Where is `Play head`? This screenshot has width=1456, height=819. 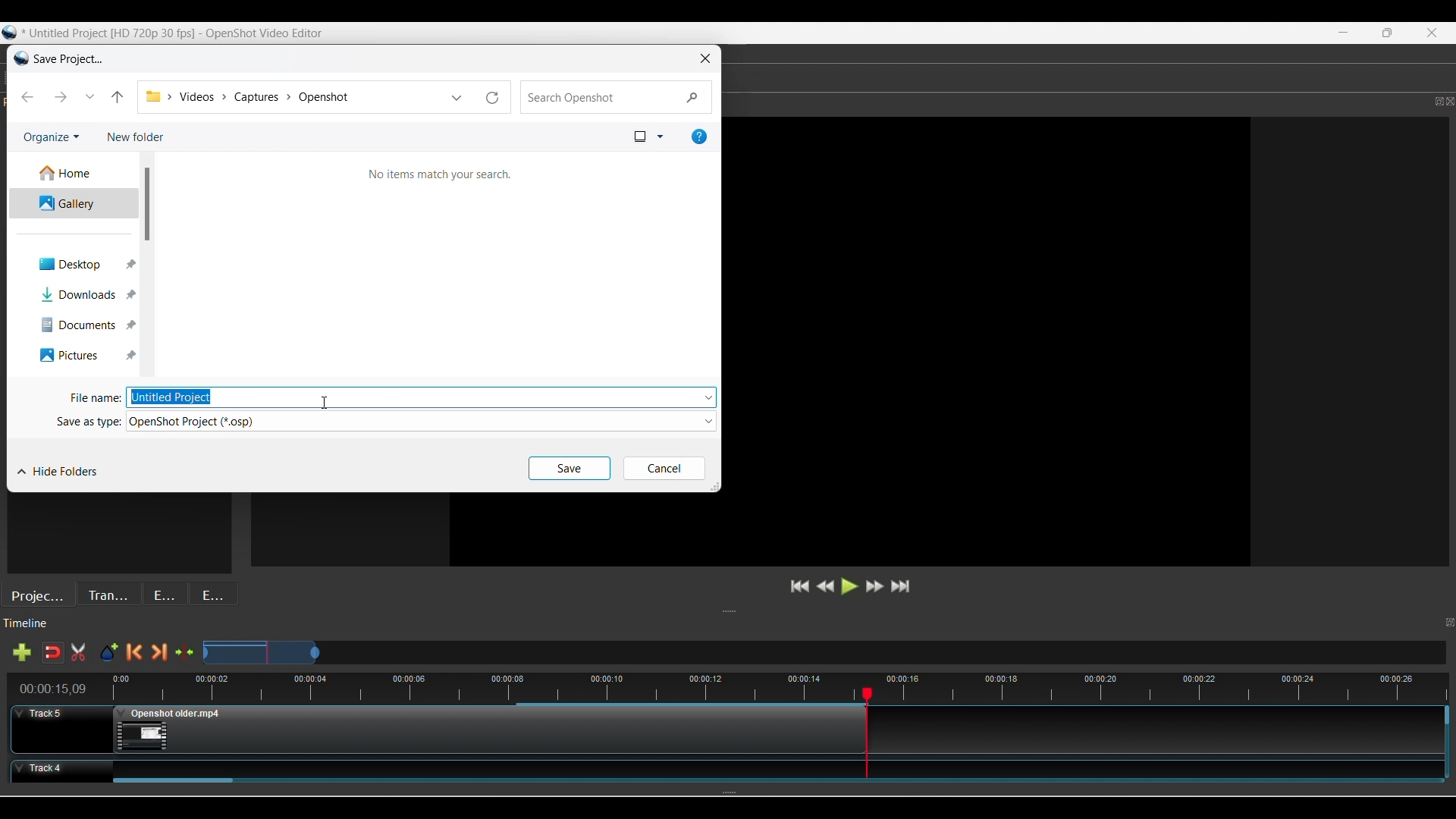 Play head is located at coordinates (868, 693).